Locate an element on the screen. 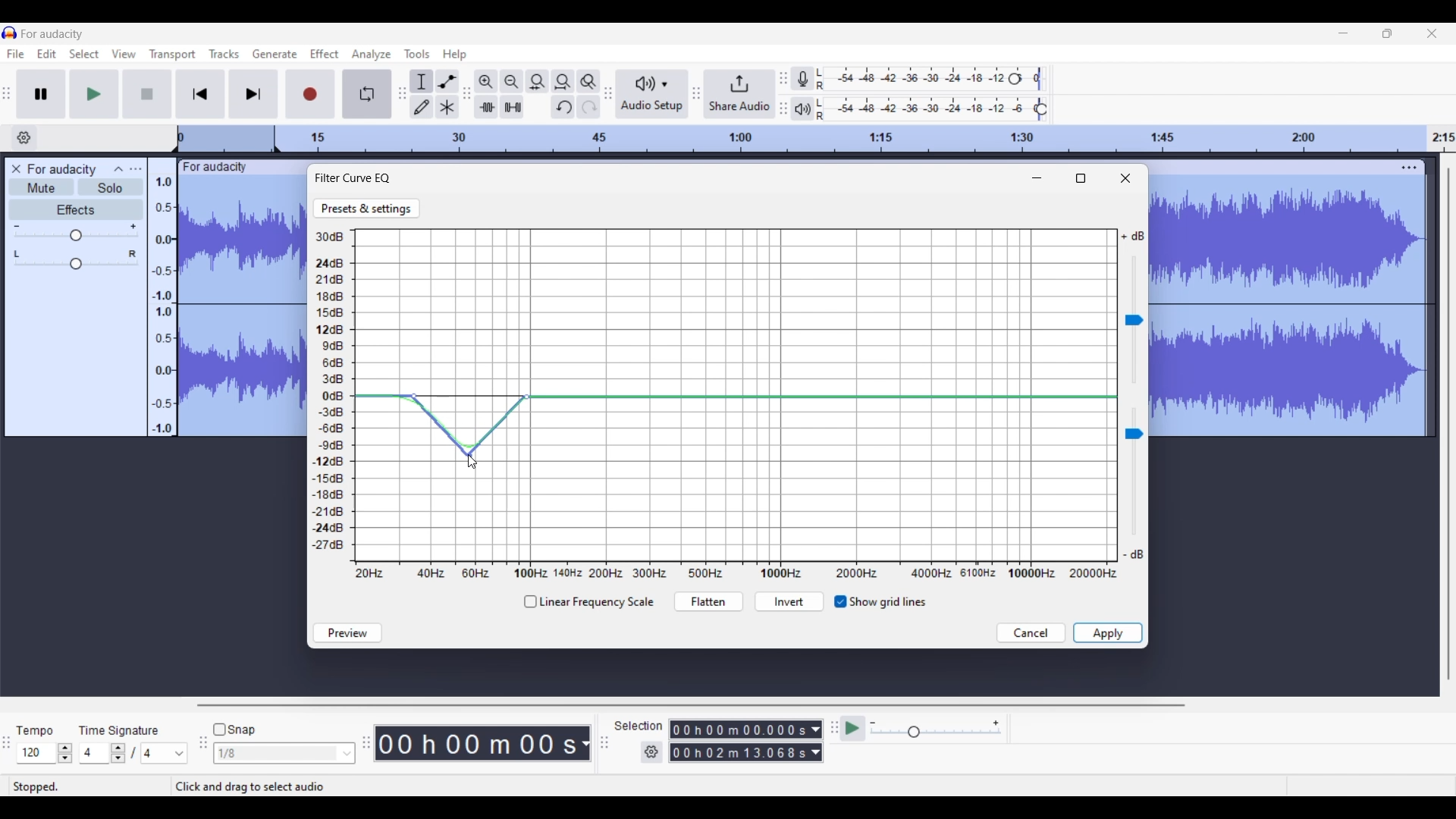 The image size is (1456, 819). Change gain is located at coordinates (76, 236).